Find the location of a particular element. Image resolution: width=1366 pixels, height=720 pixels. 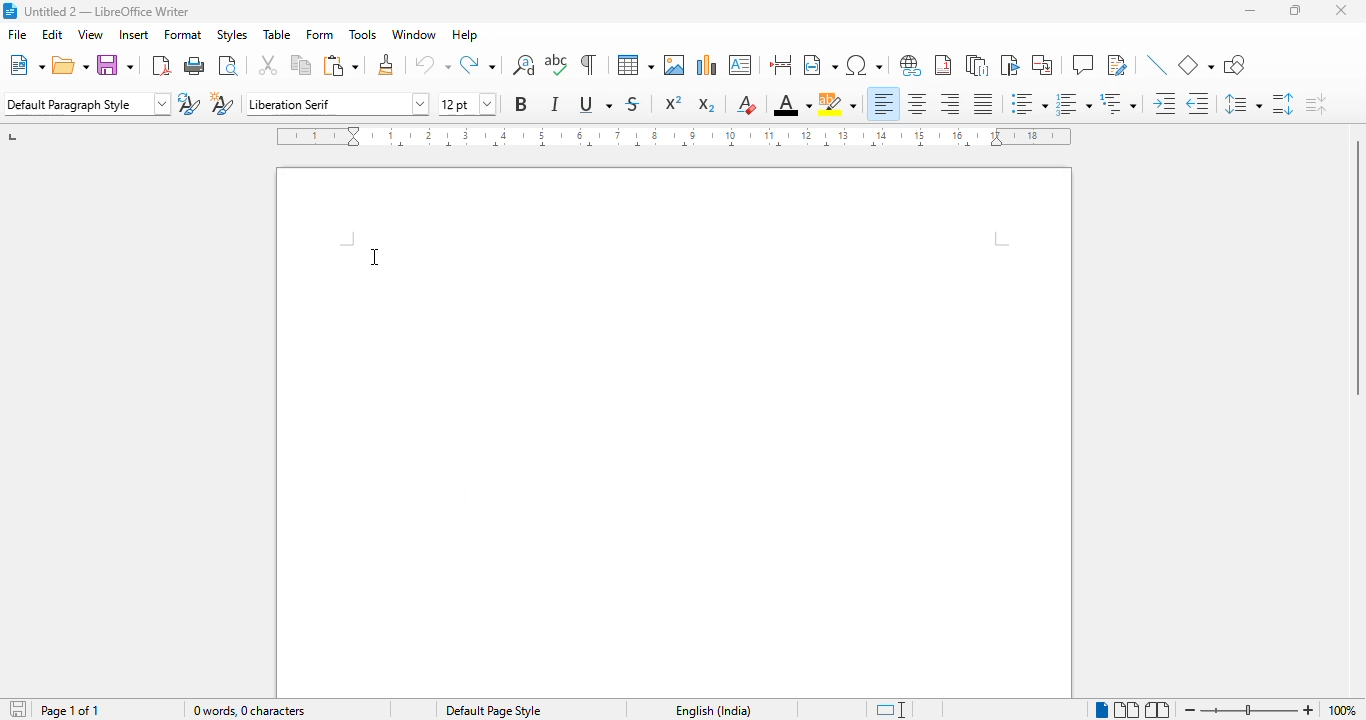

toggle print preview is located at coordinates (230, 66).